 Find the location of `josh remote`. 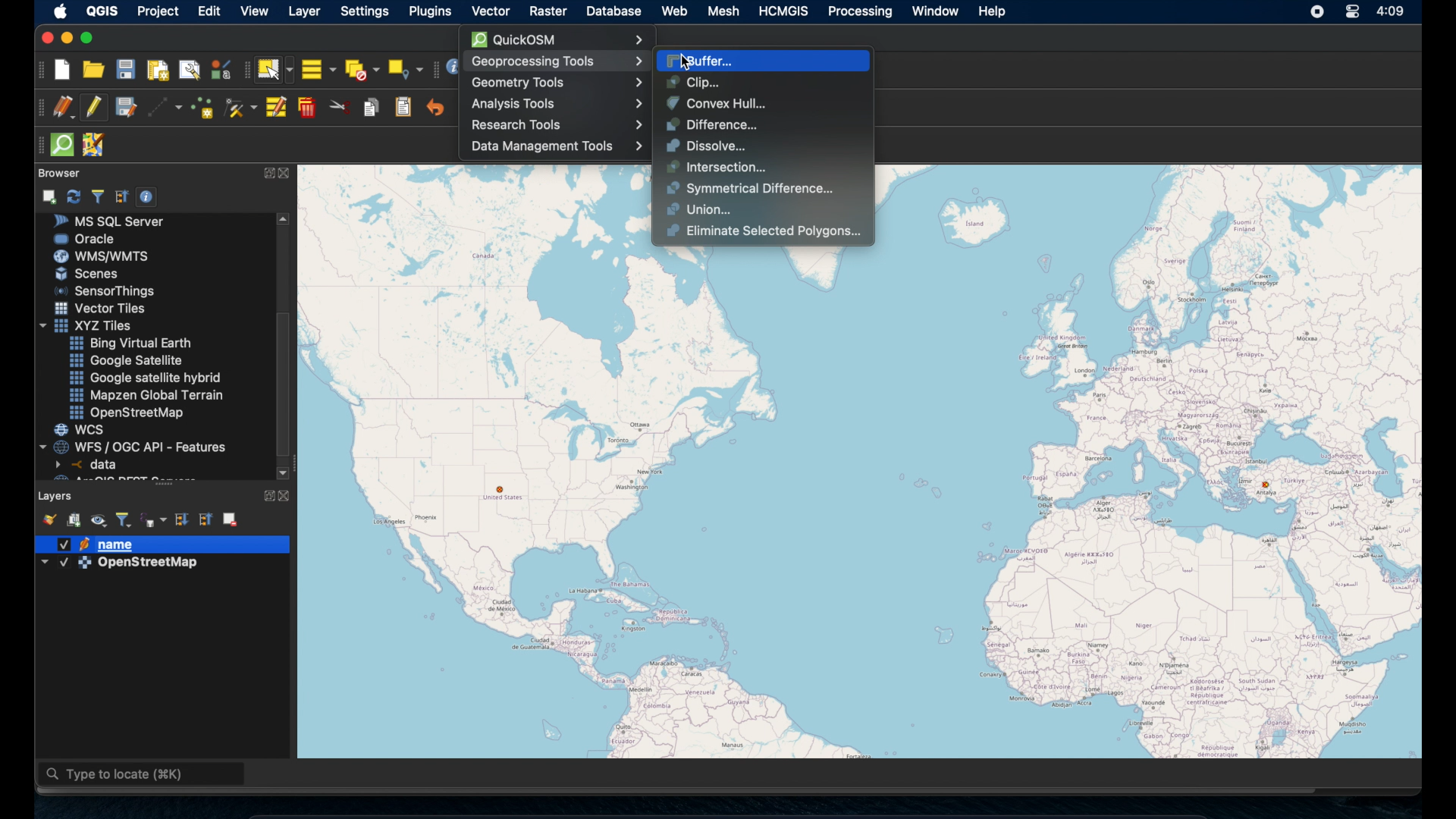

josh remote is located at coordinates (97, 146).